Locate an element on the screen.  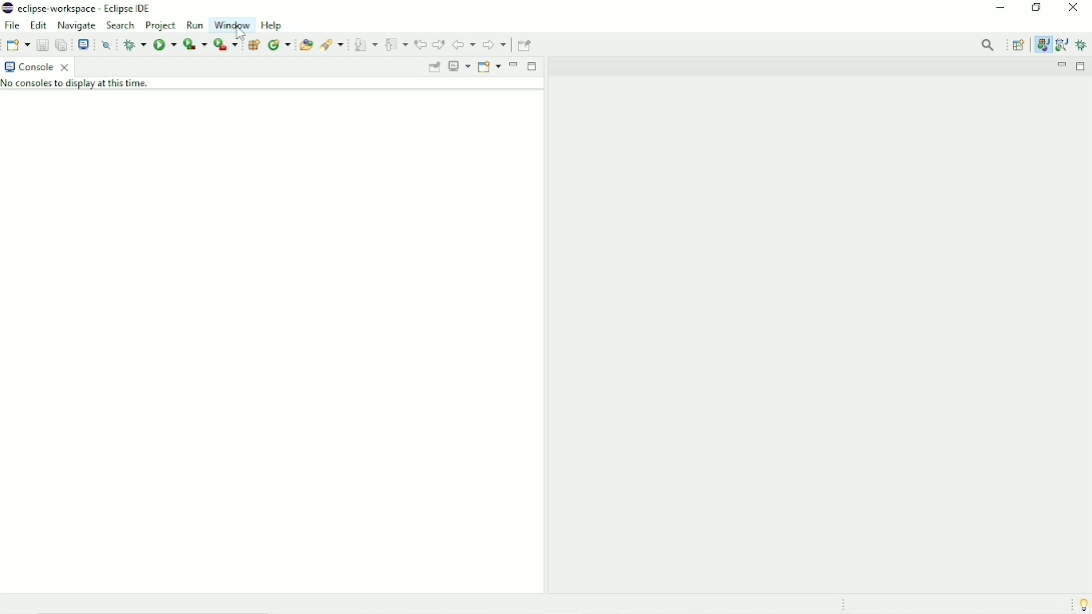
Run is located at coordinates (164, 44).